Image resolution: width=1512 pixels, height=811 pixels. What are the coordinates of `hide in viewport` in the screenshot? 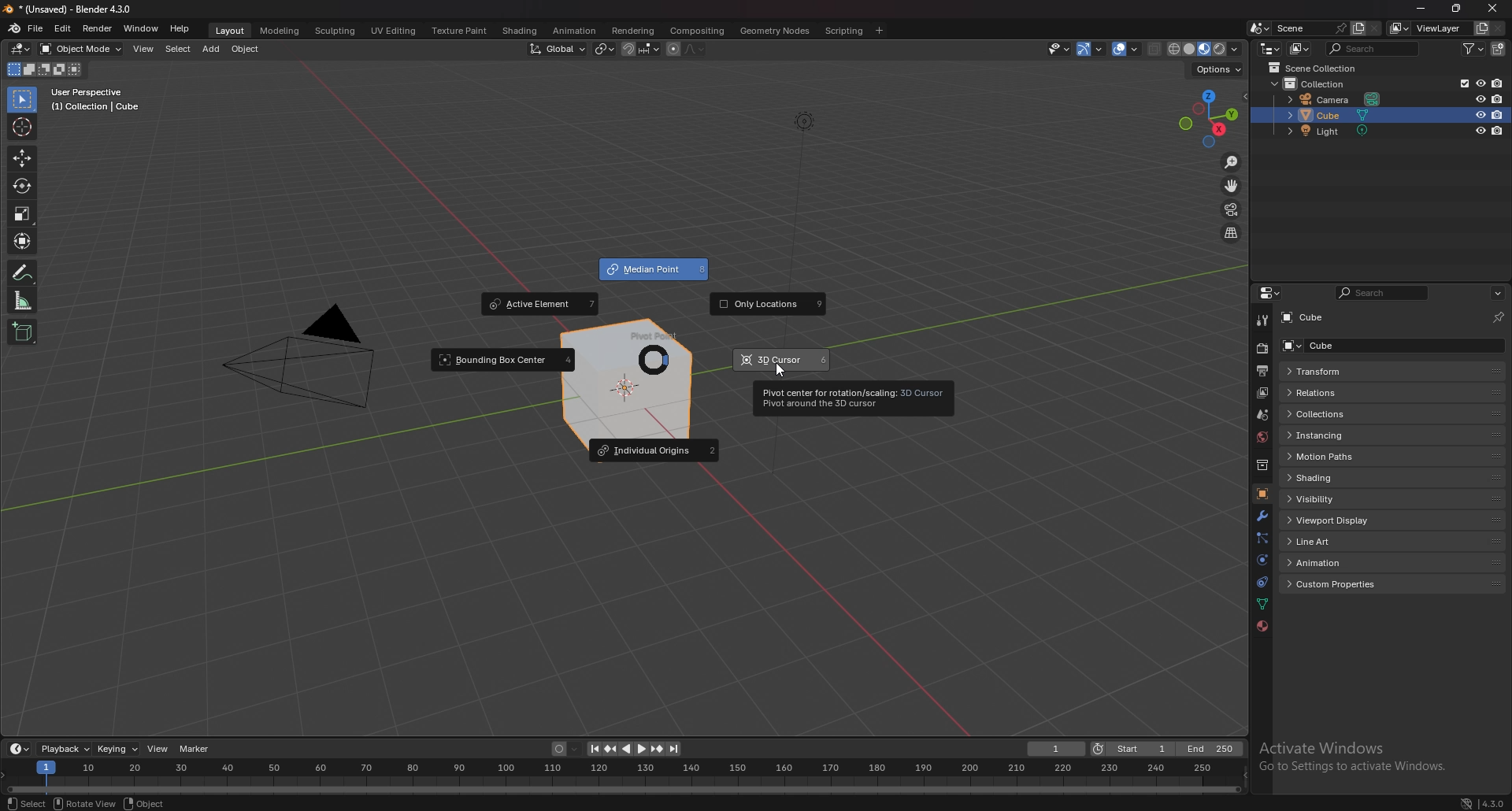 It's located at (1480, 114).